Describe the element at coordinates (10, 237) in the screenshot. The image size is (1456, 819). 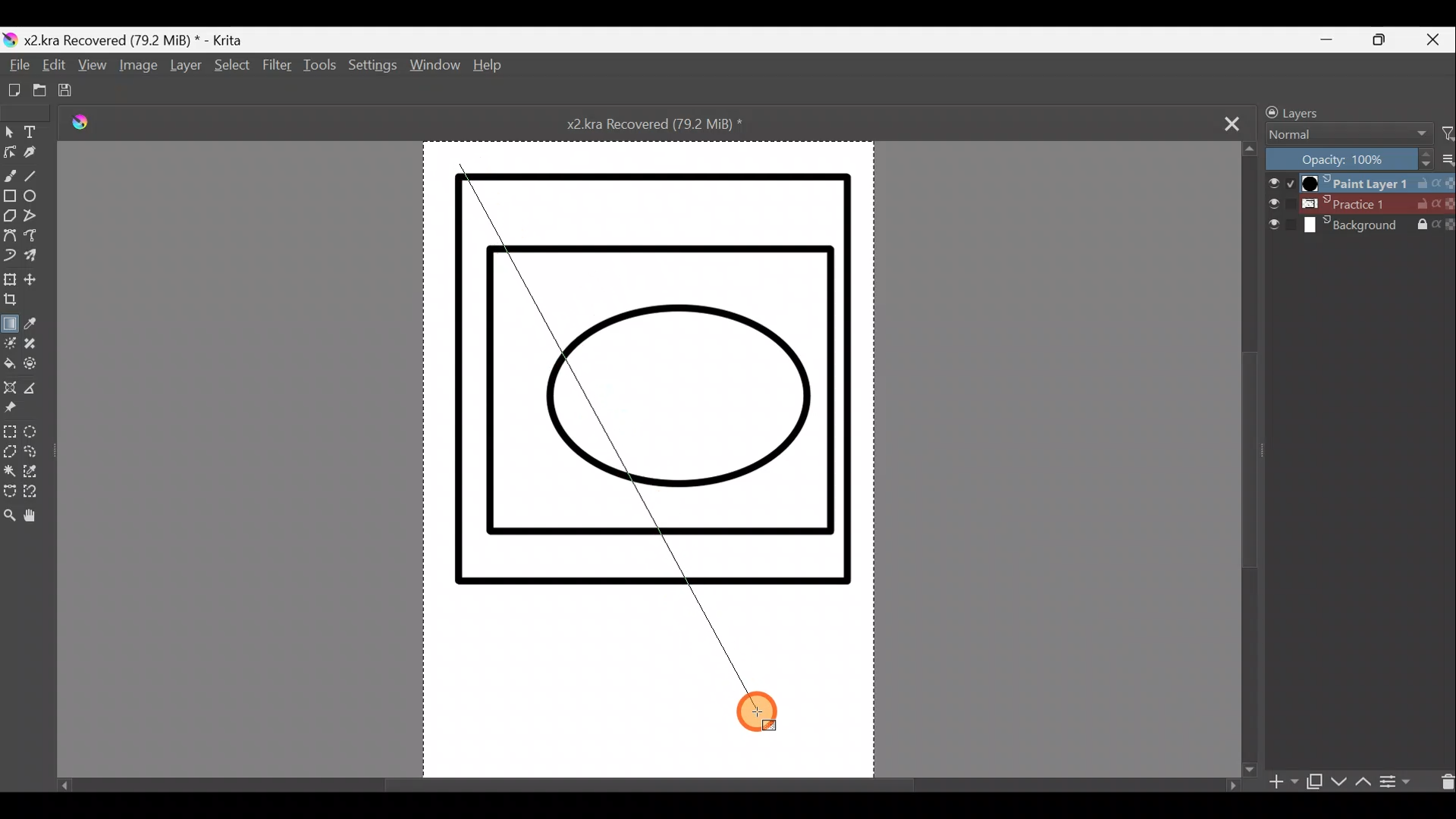
I see `Bezier curve tool` at that location.